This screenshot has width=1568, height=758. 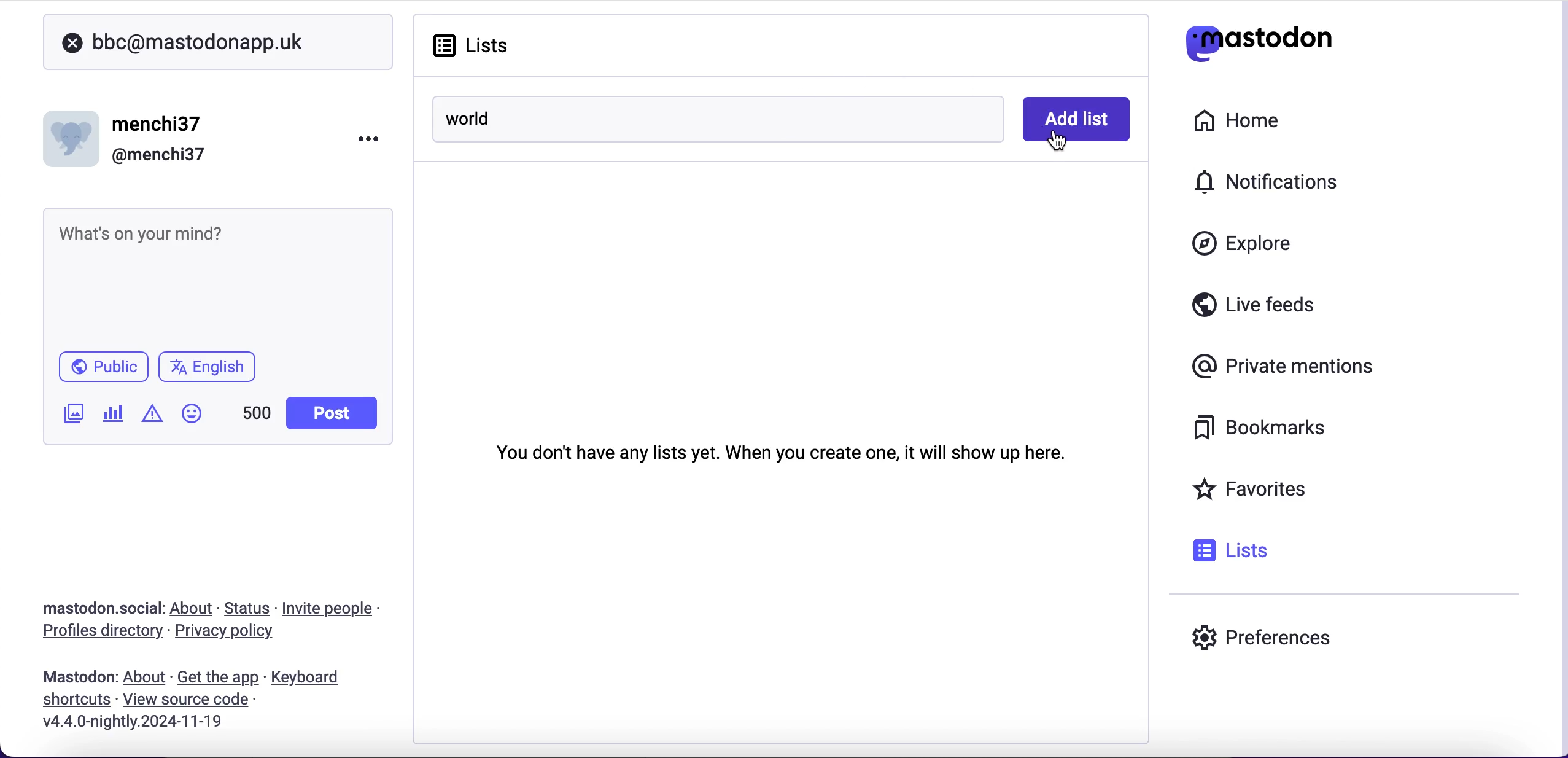 What do you see at coordinates (1062, 142) in the screenshot?
I see `cursor` at bounding box center [1062, 142].